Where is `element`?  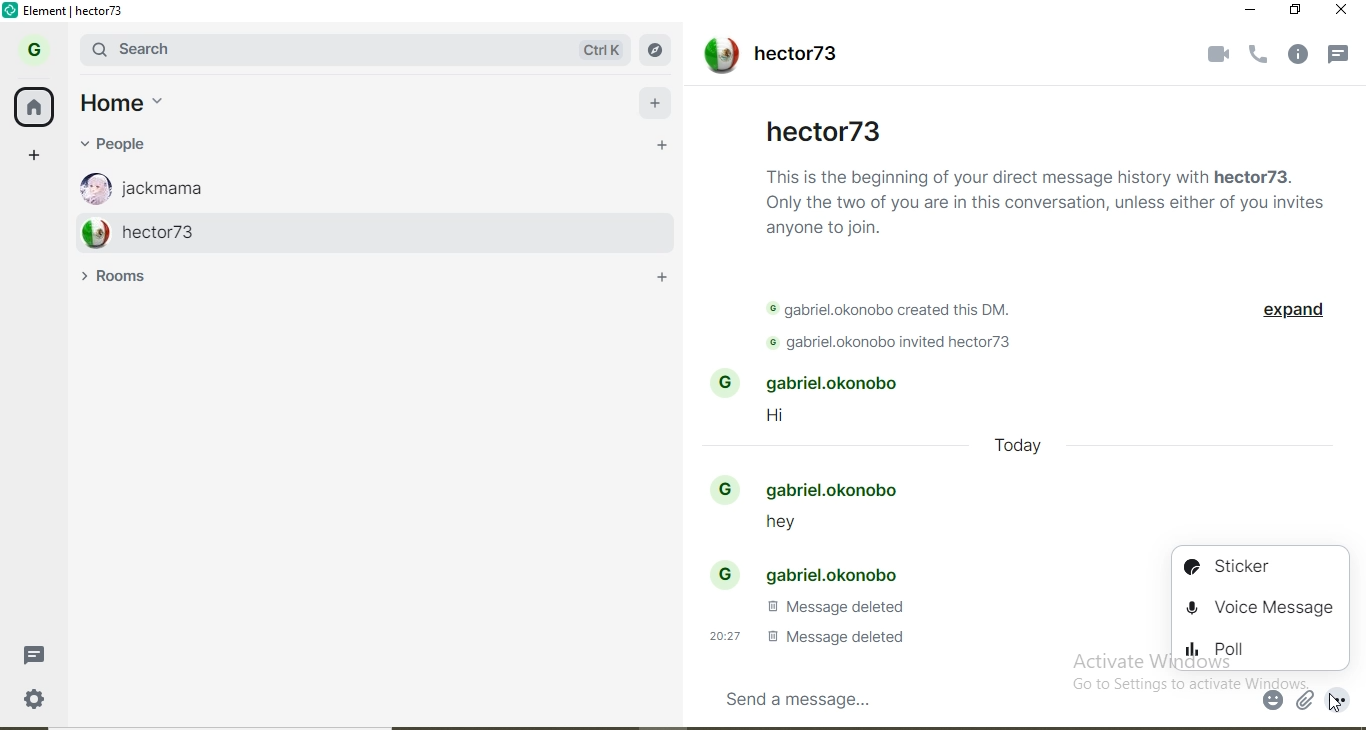
element is located at coordinates (74, 11).